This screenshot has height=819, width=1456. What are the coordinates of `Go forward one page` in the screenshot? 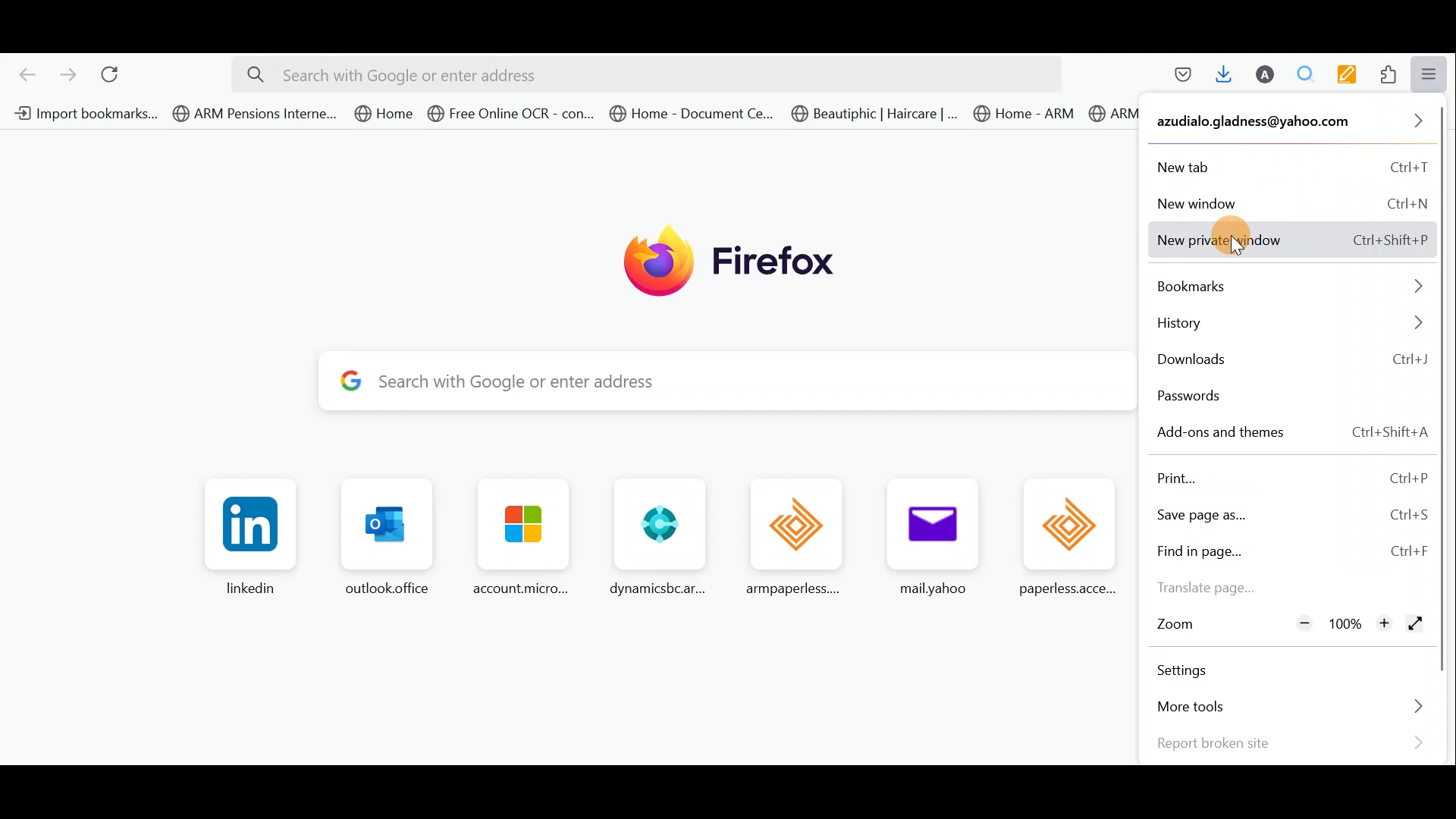 It's located at (67, 74).